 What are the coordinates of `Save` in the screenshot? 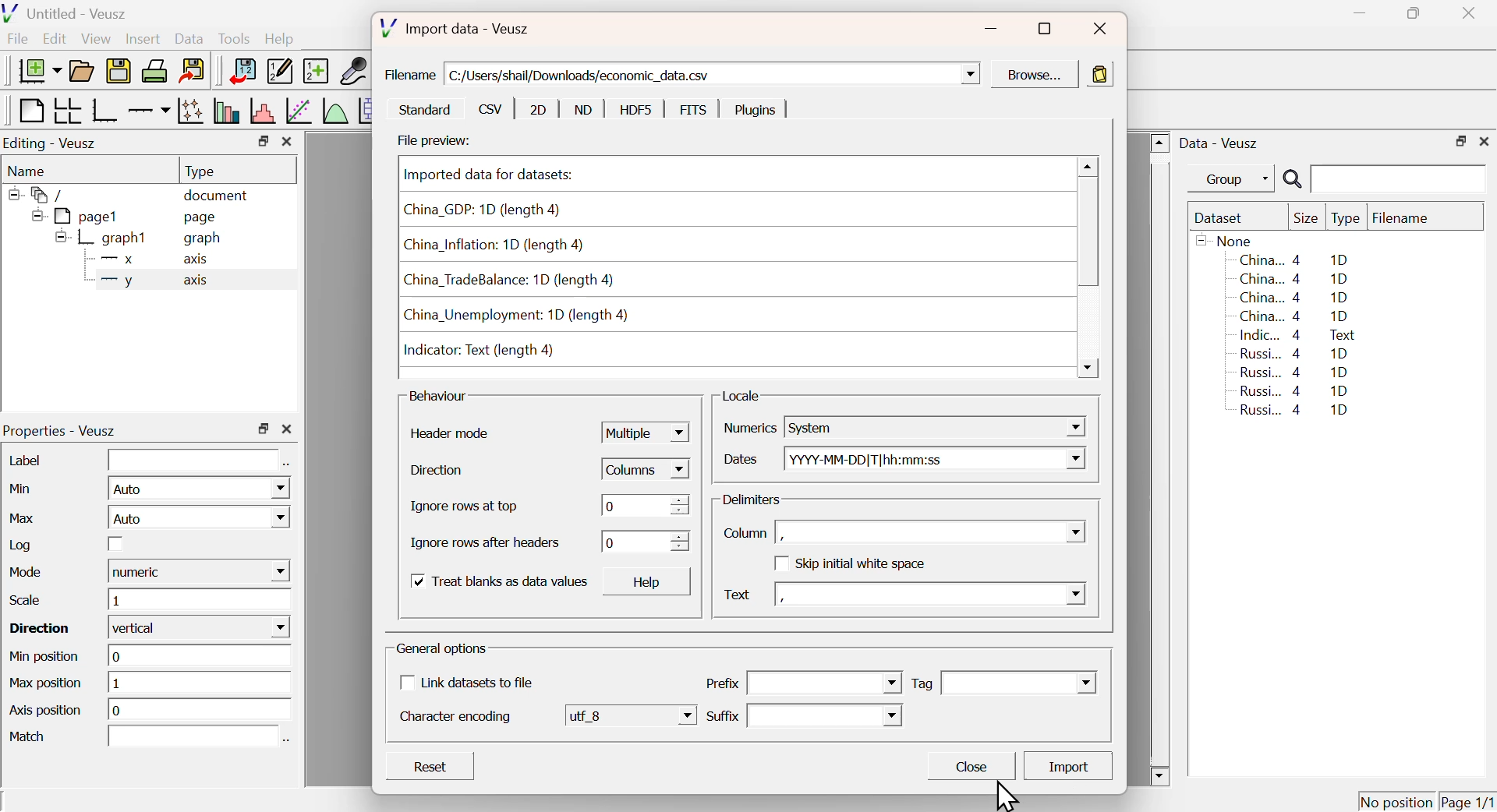 It's located at (119, 72).